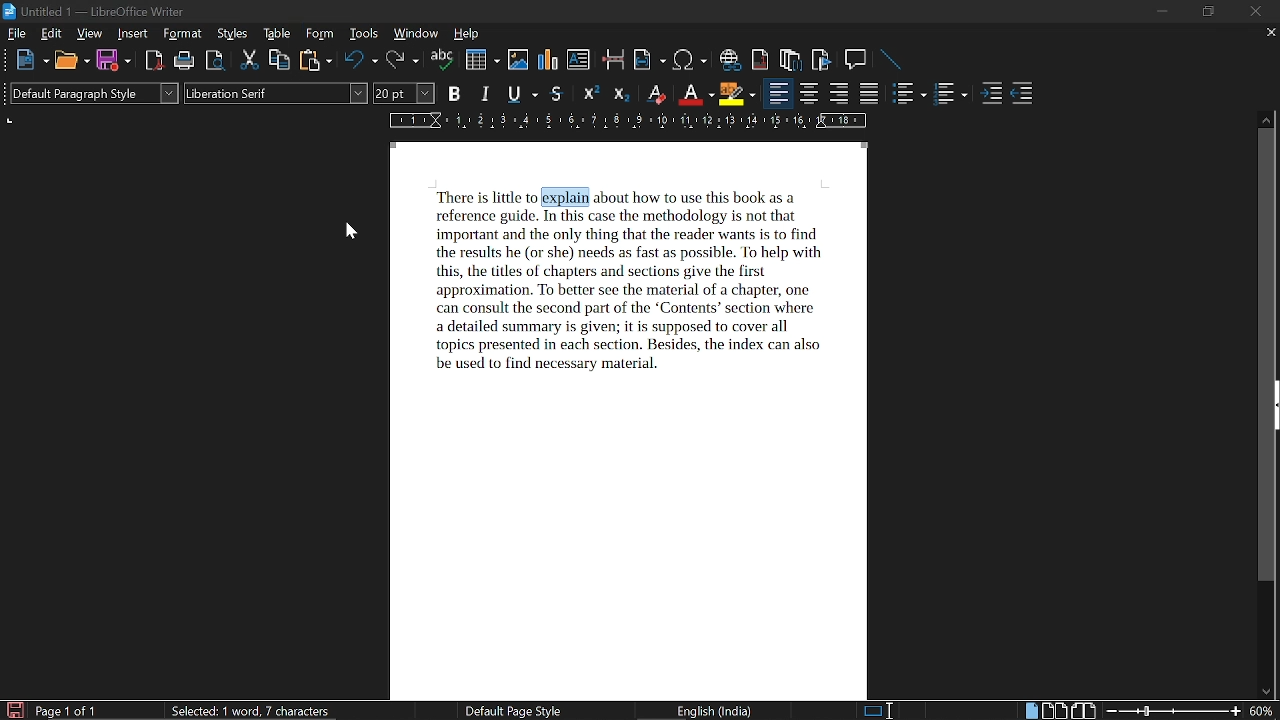 Image resolution: width=1280 pixels, height=720 pixels. Describe the element at coordinates (549, 60) in the screenshot. I see `insert chart` at that location.